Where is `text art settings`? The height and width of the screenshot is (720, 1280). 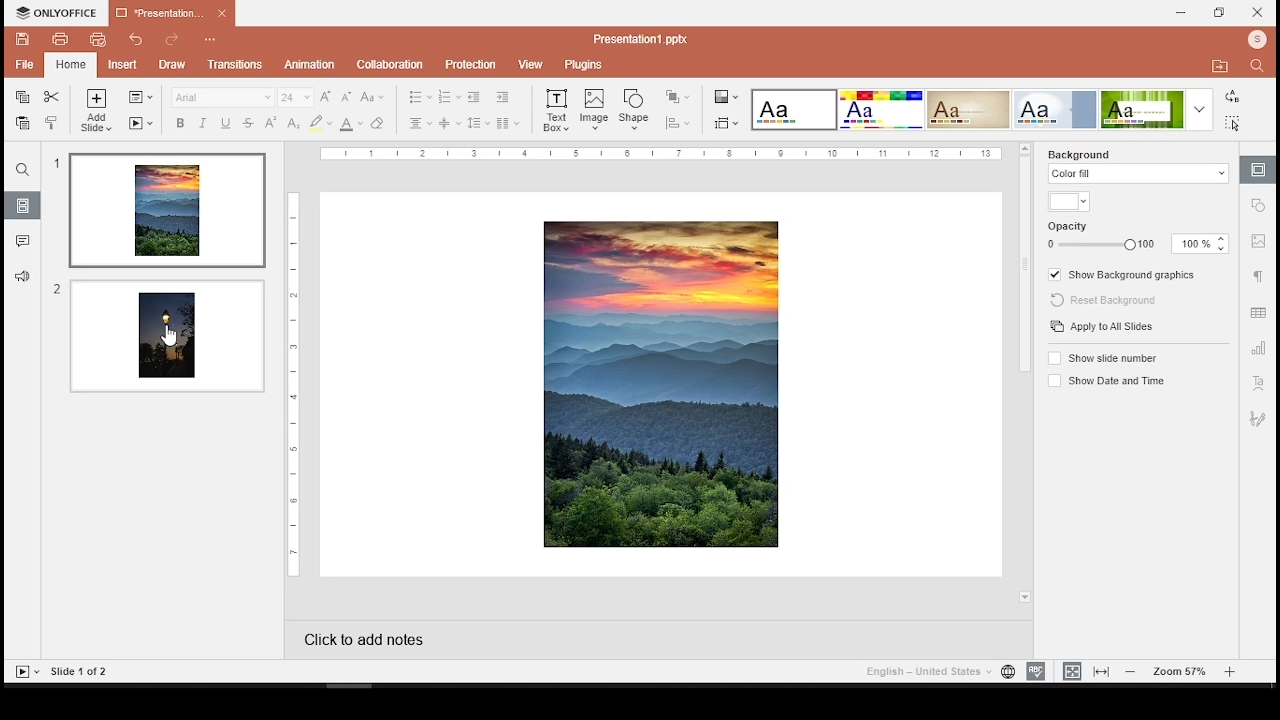 text art settings is located at coordinates (1259, 383).